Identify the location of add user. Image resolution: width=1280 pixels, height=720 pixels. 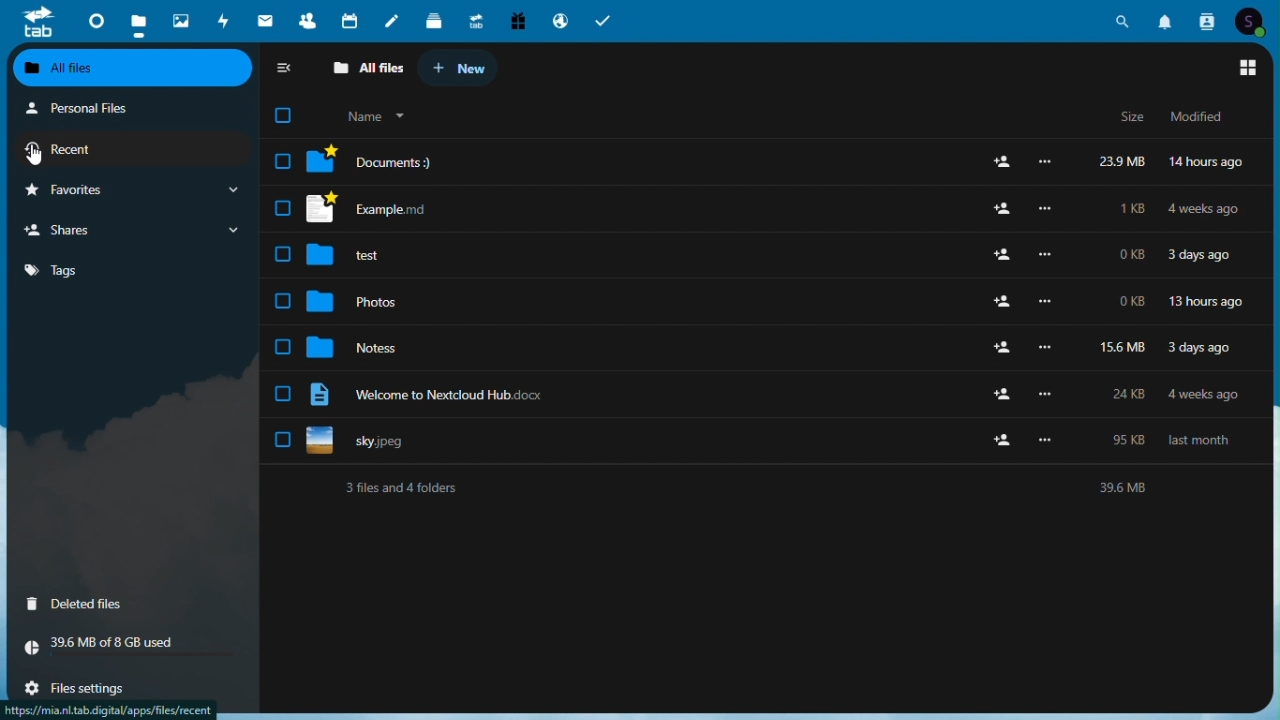
(1004, 348).